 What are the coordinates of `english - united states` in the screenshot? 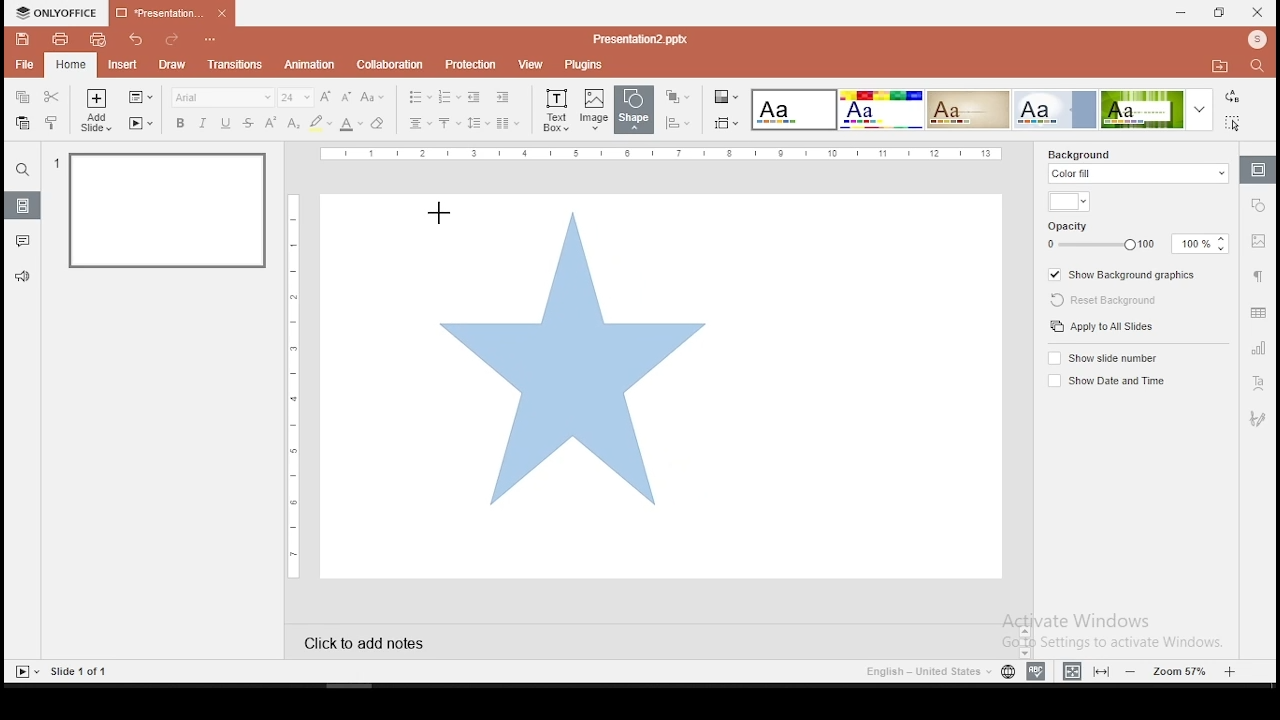 It's located at (927, 674).